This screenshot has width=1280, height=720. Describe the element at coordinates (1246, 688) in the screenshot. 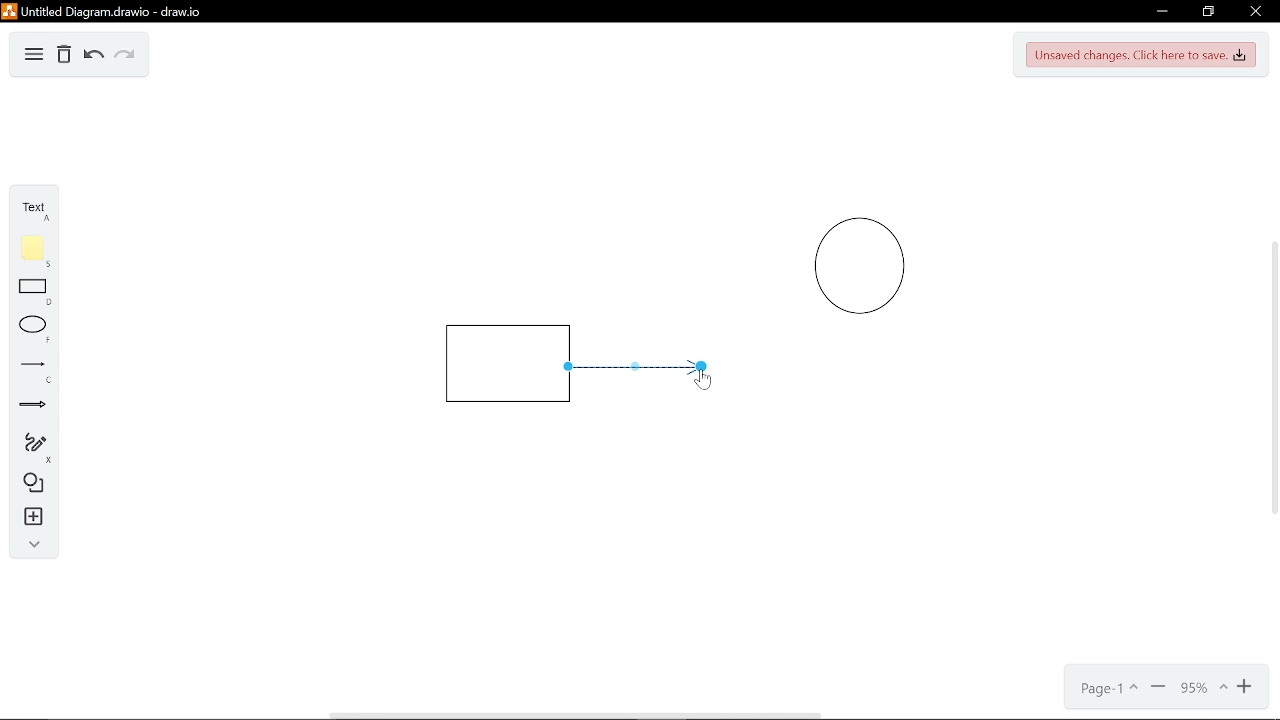

I see `Zoom in` at that location.